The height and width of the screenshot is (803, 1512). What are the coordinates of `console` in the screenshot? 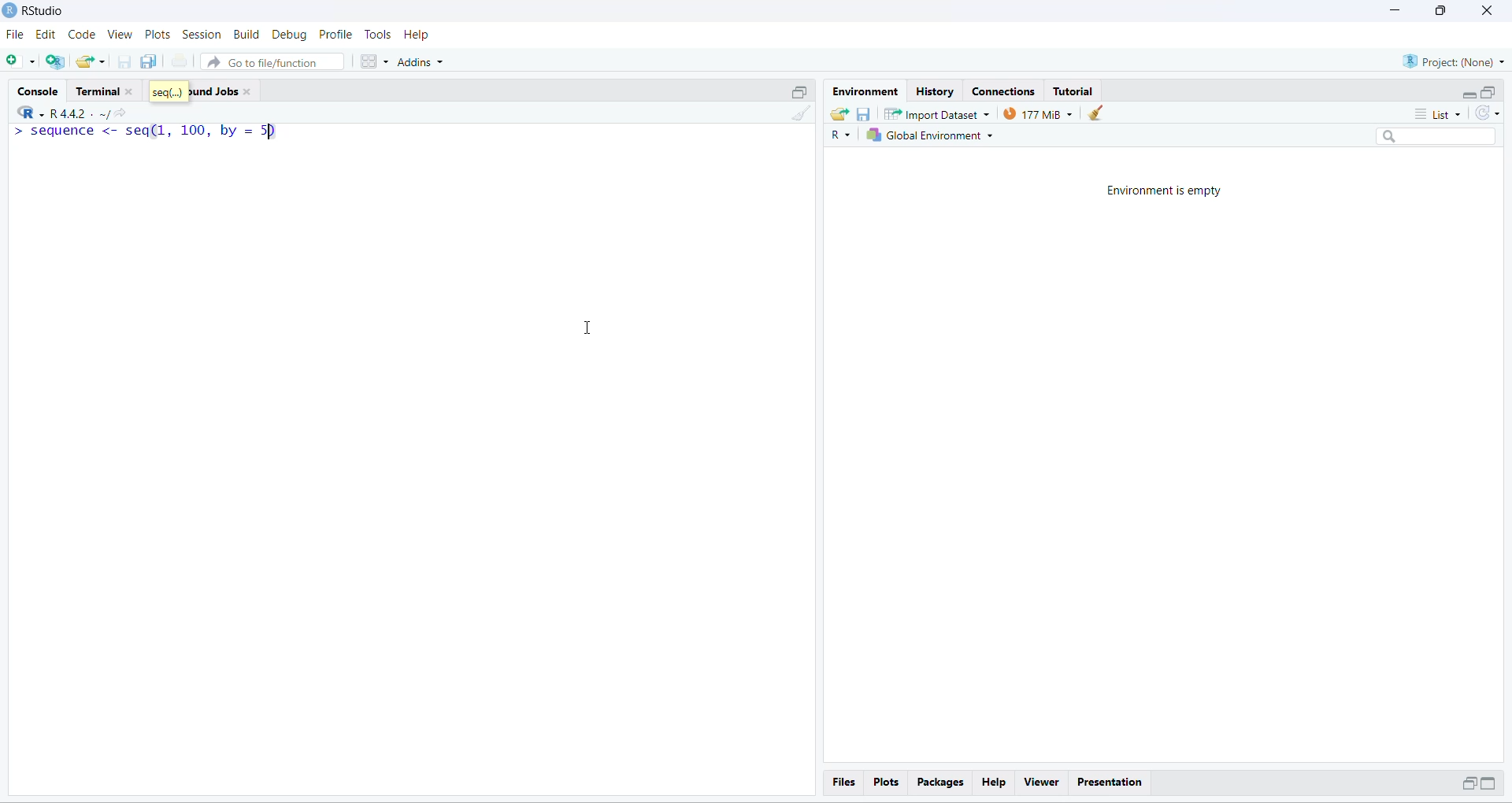 It's located at (41, 92).